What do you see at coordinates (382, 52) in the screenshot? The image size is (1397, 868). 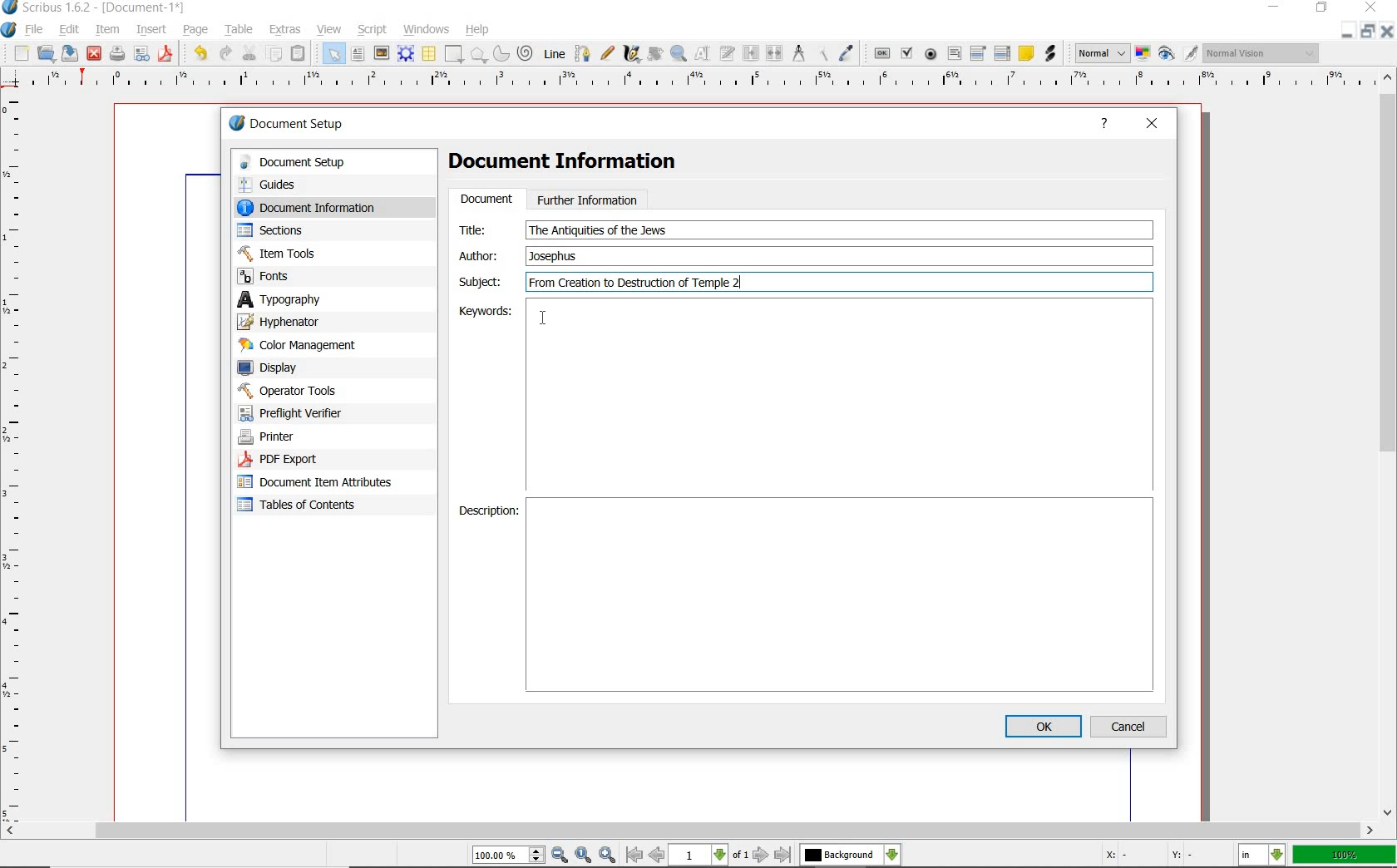 I see `image frame` at bounding box center [382, 52].